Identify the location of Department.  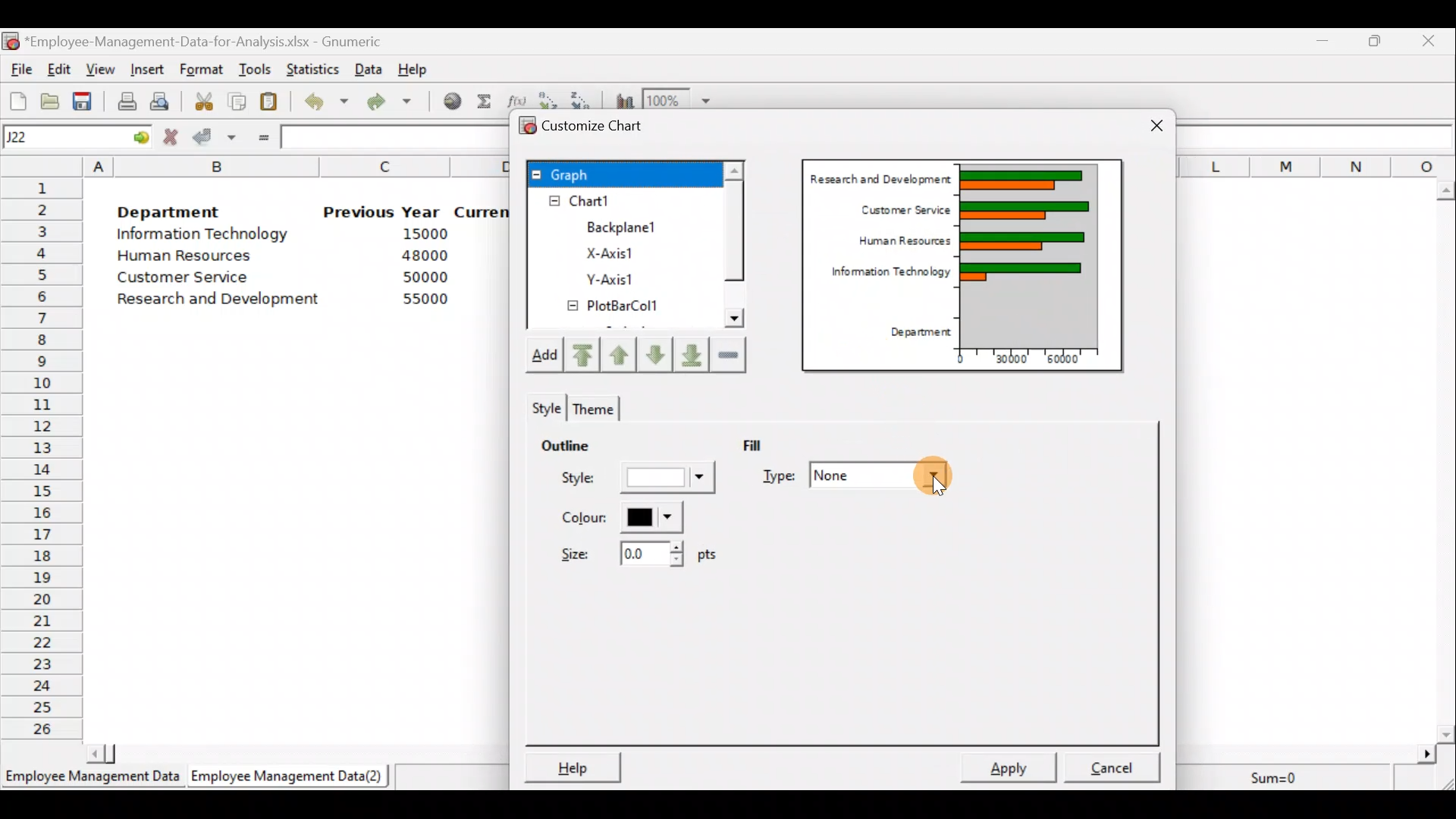
(916, 329).